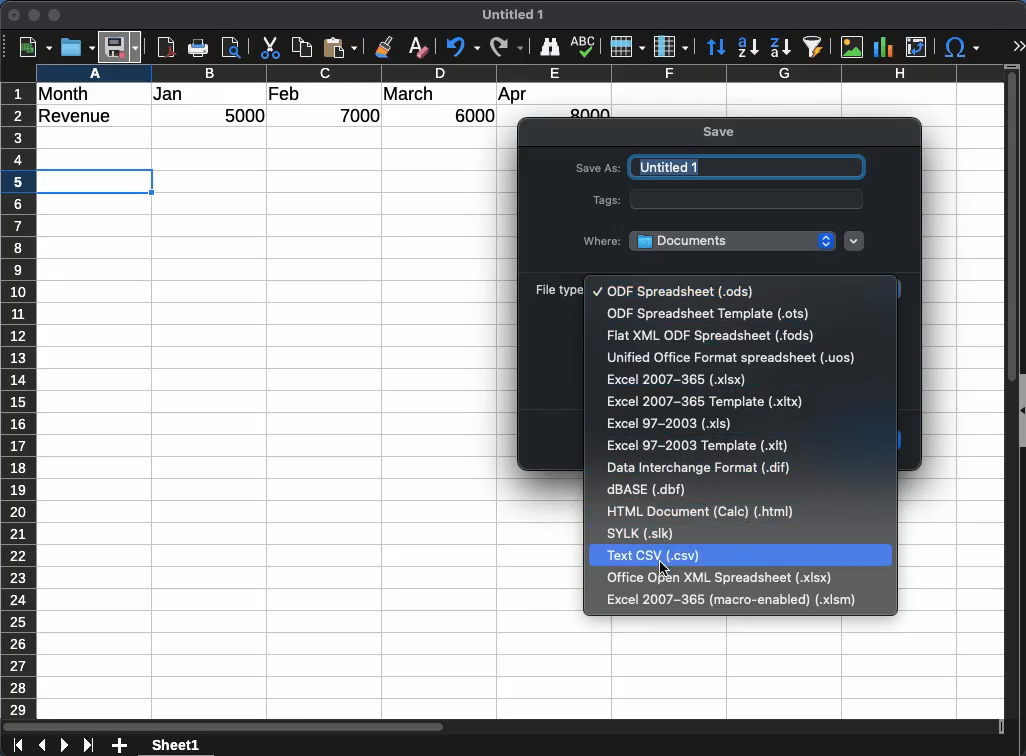 The image size is (1026, 756). Describe the element at coordinates (962, 48) in the screenshot. I see `special characters` at that location.